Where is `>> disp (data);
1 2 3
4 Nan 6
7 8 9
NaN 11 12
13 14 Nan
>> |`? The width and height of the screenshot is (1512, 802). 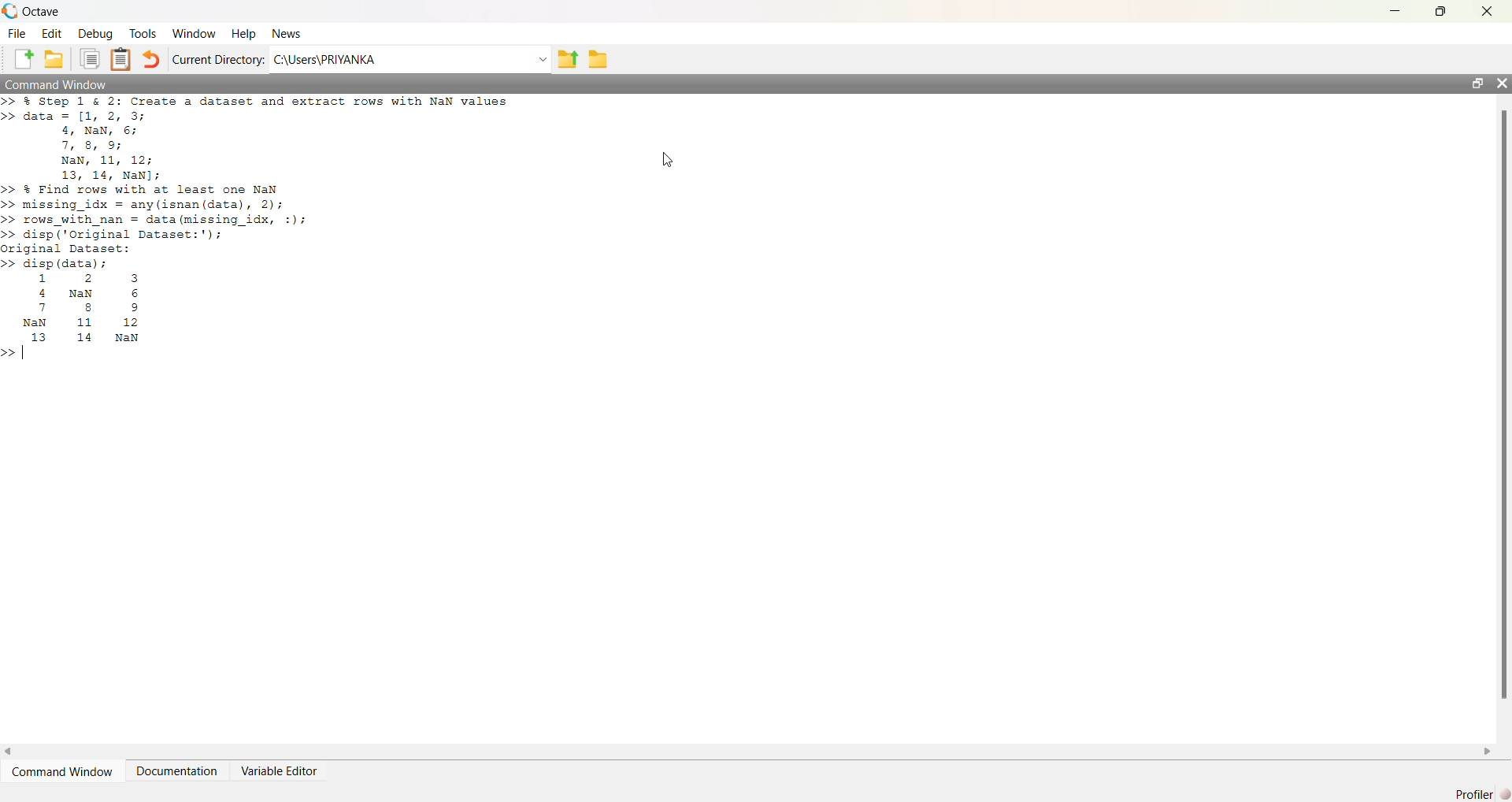 >> disp (data);
1 2 3
4 Nan 6
7 8 9
NaN 11 12
13 14 Nan
>> | is located at coordinates (77, 310).